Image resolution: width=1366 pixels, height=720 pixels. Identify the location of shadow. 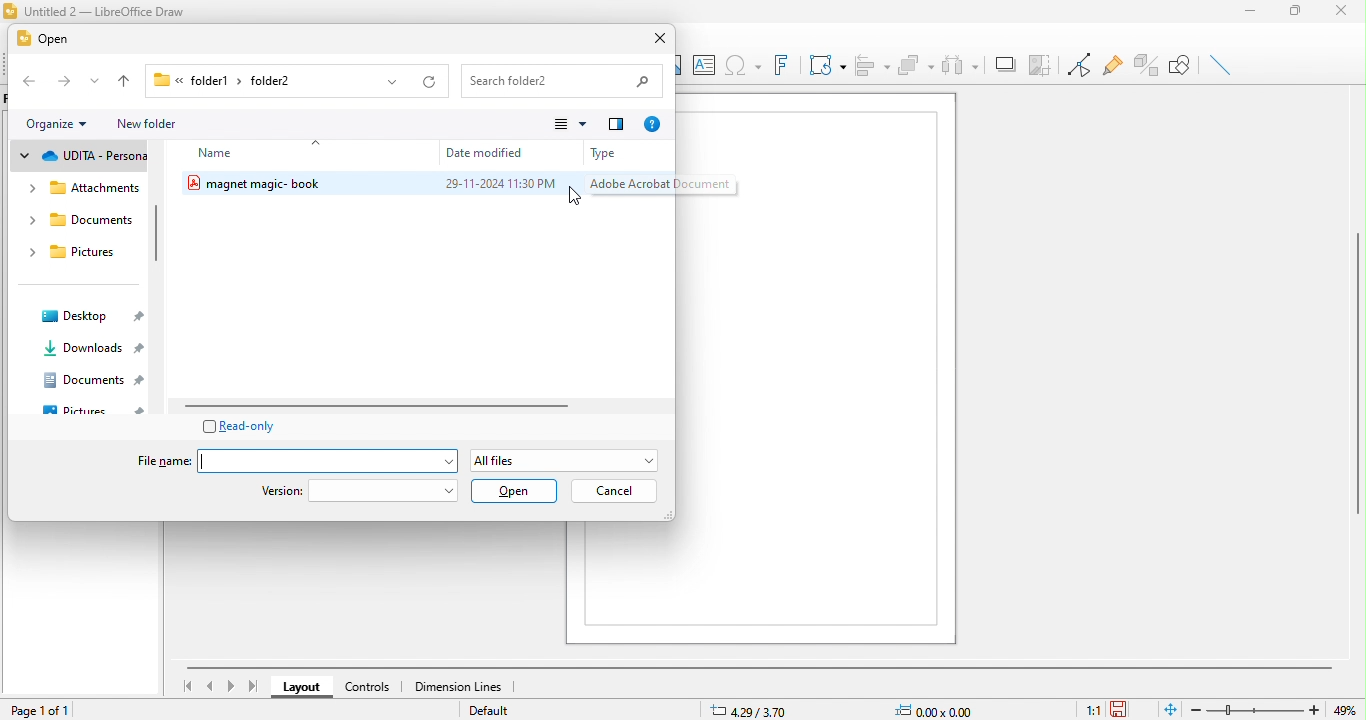
(1003, 63).